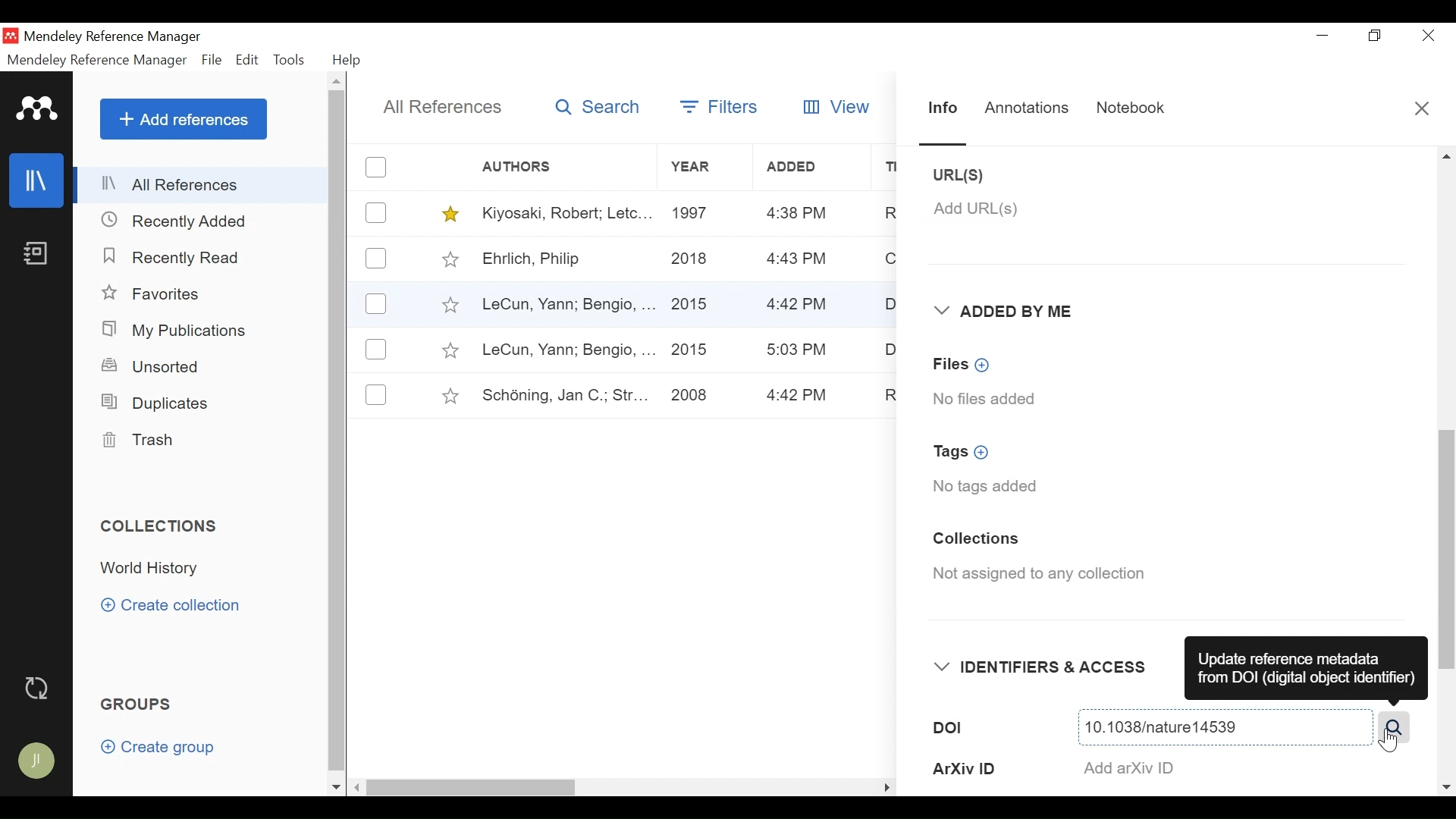  Describe the element at coordinates (140, 705) in the screenshot. I see `Groups` at that location.